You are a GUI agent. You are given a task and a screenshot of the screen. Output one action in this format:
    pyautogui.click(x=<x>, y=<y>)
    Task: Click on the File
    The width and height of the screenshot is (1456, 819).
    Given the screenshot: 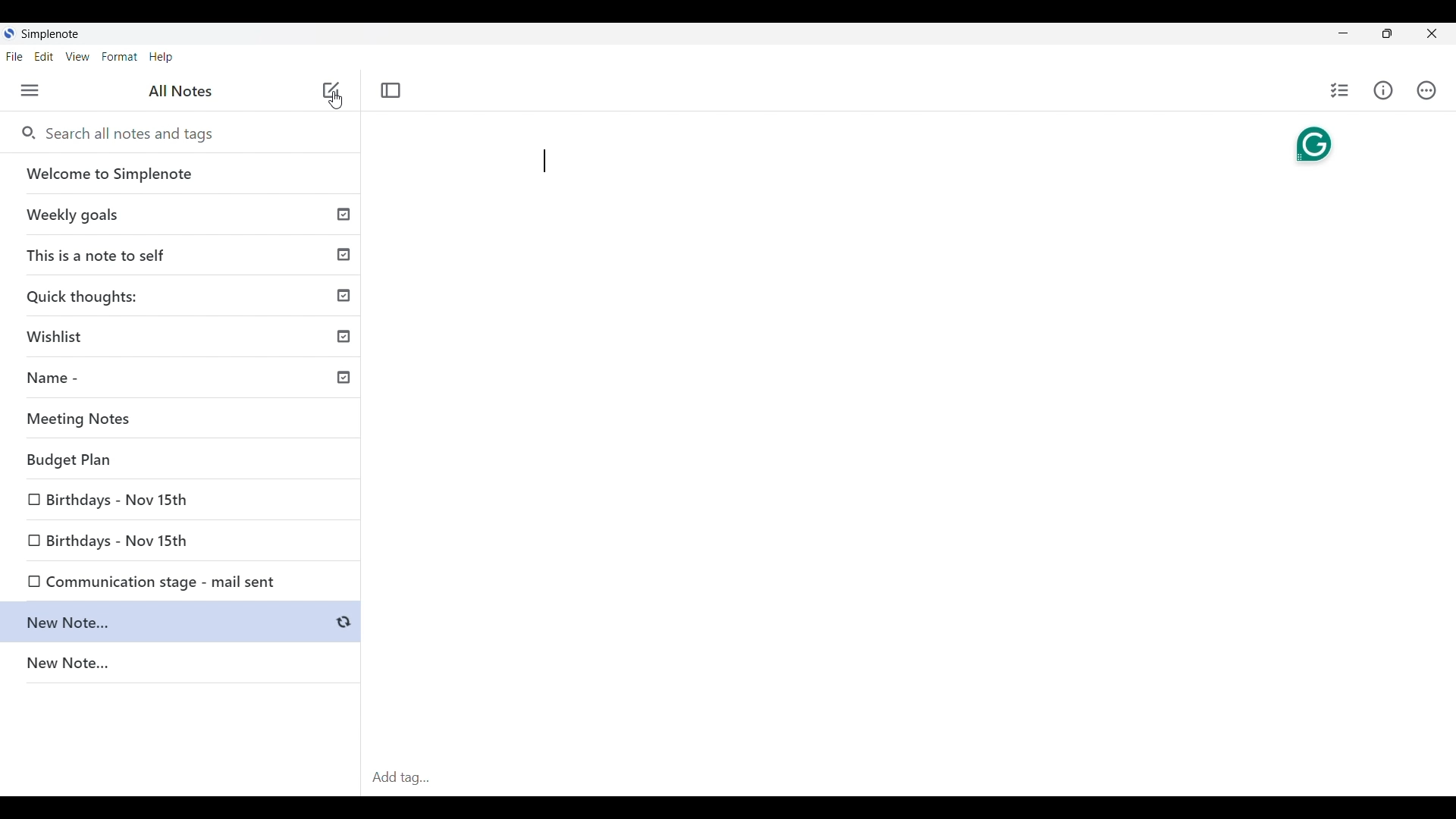 What is the action you would take?
    pyautogui.click(x=14, y=56)
    